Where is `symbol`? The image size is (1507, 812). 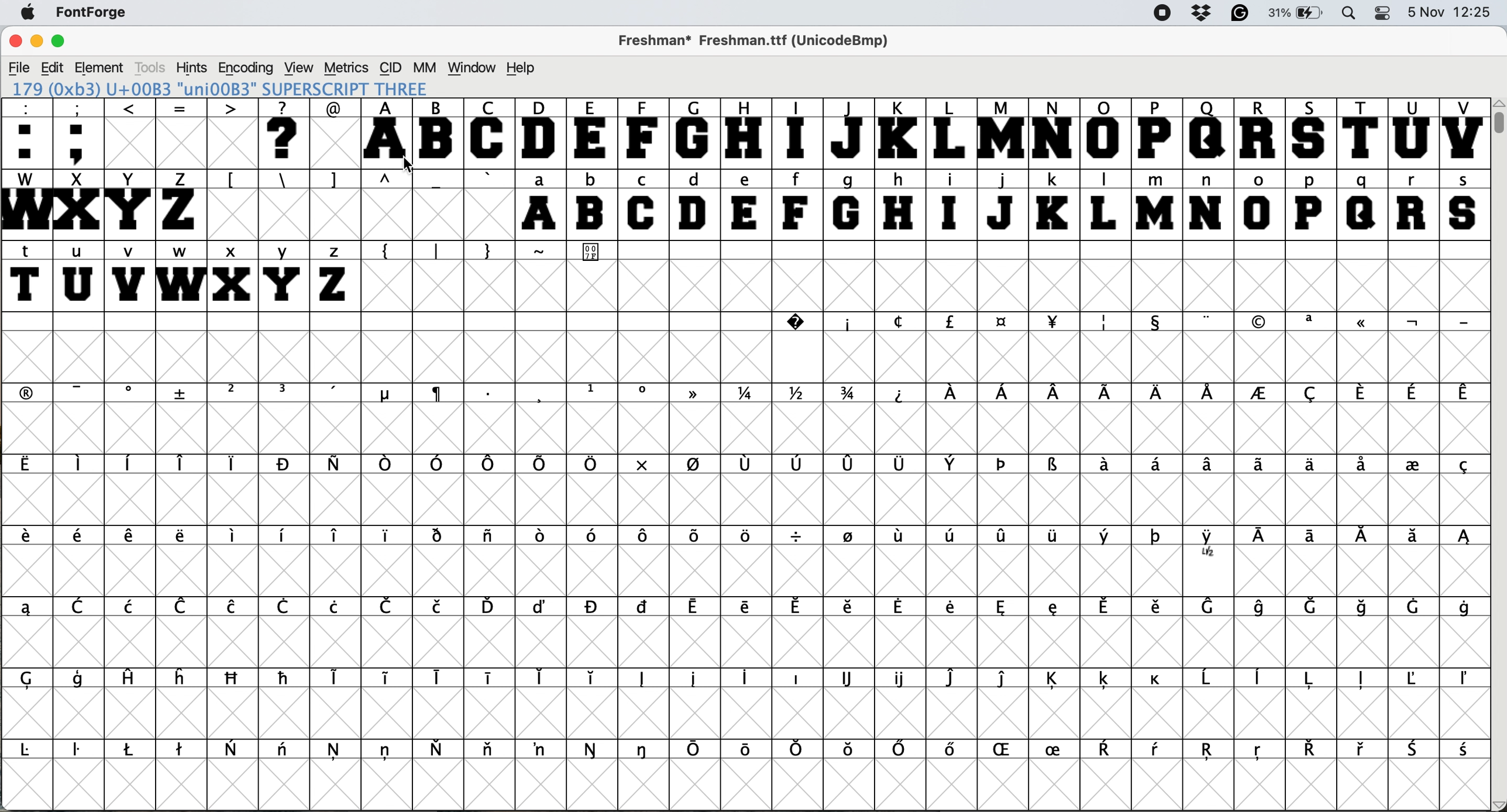 symbol is located at coordinates (81, 538).